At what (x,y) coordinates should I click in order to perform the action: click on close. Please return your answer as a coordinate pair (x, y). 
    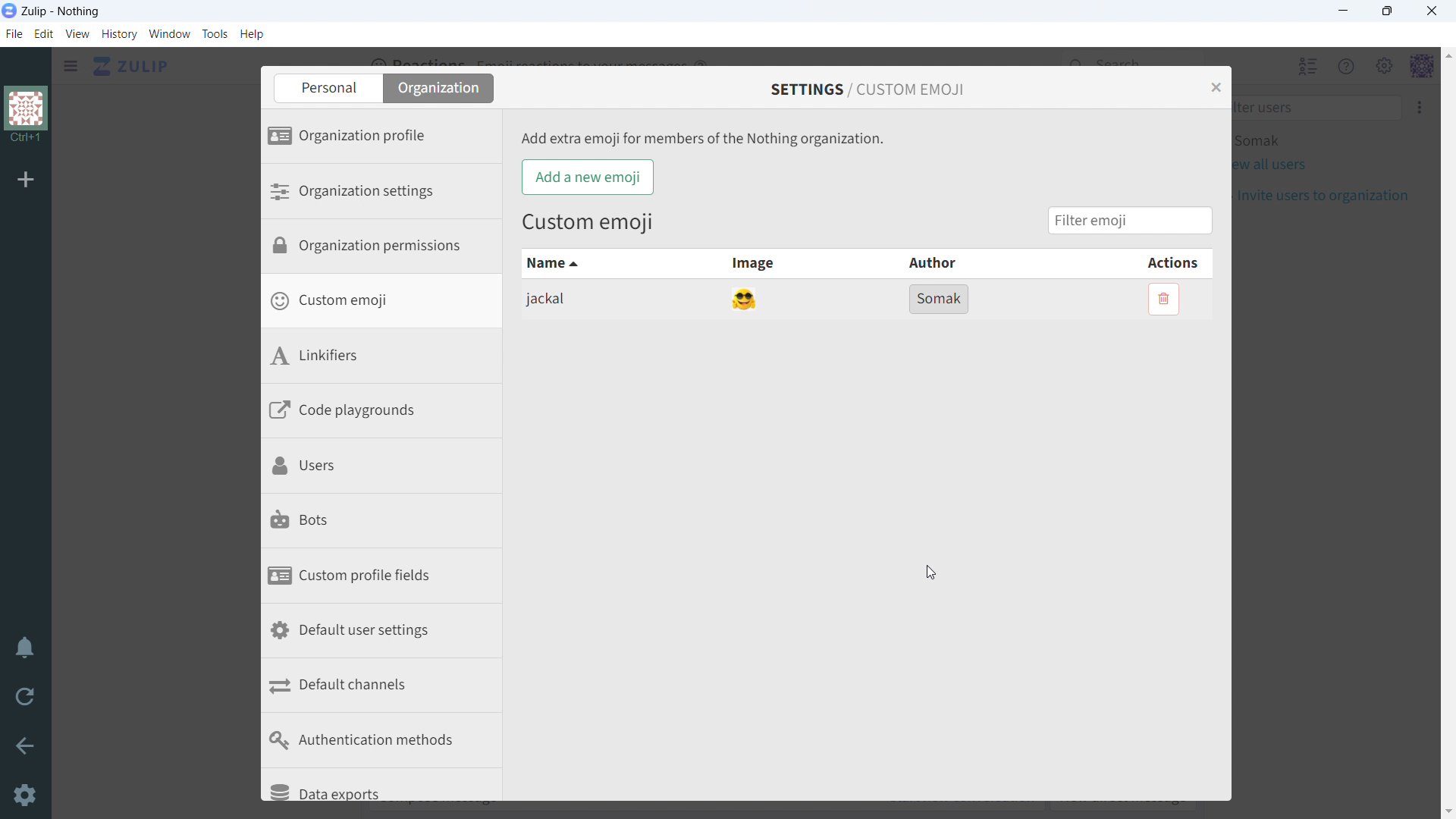
    Looking at the image, I should click on (1431, 11).